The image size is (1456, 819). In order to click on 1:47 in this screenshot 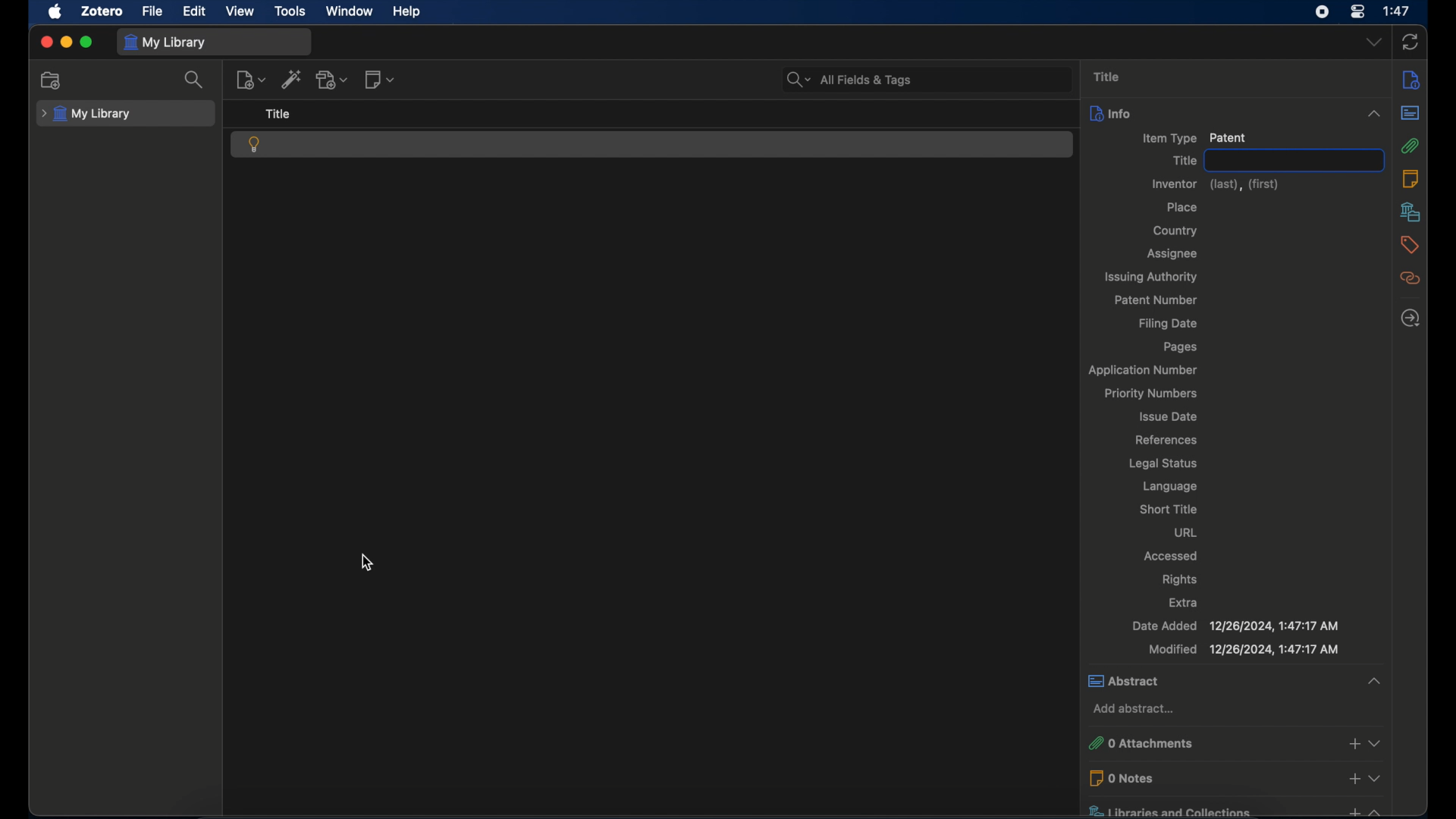, I will do `click(1398, 10)`.